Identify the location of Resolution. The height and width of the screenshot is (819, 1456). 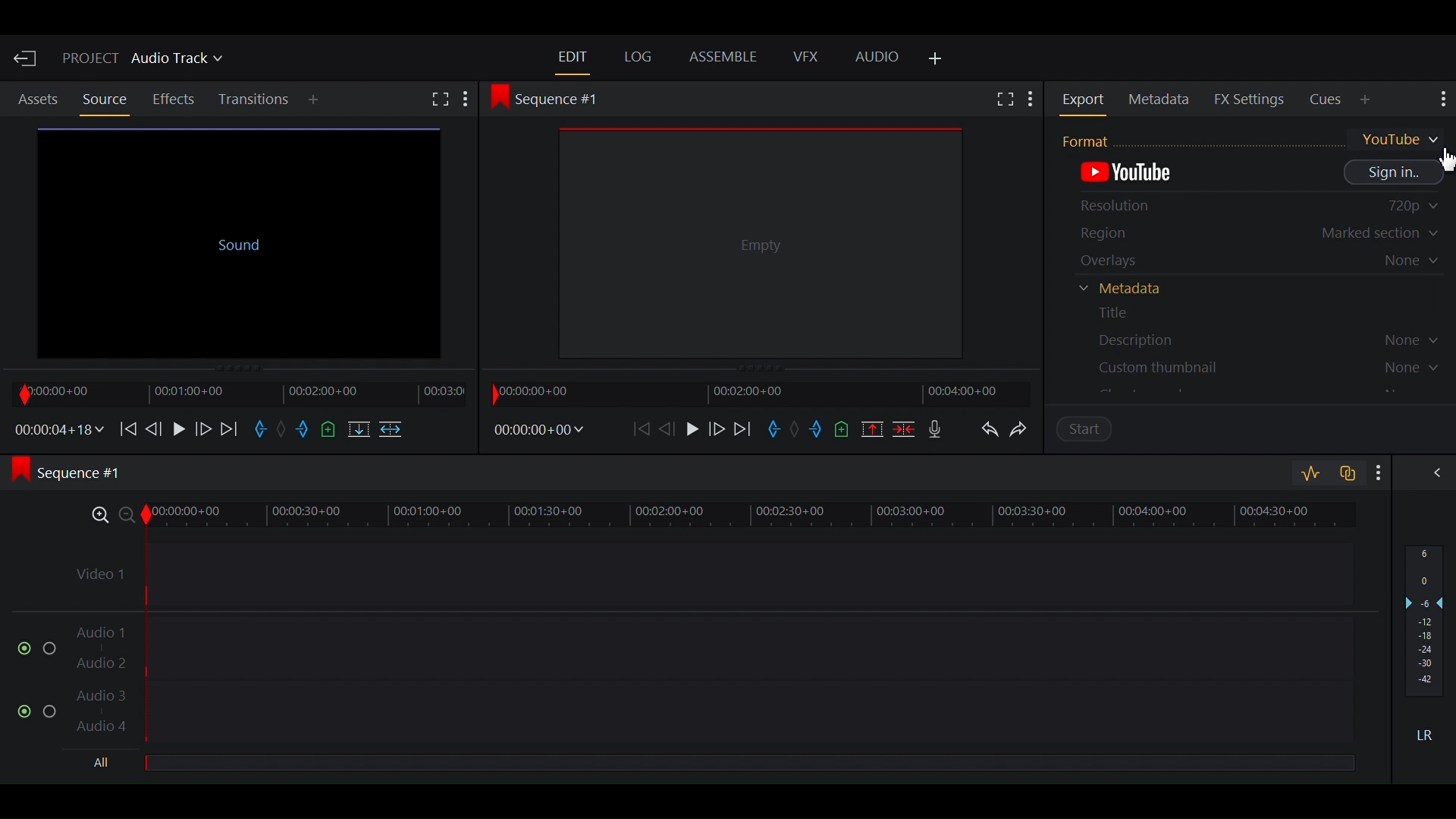
(1255, 208).